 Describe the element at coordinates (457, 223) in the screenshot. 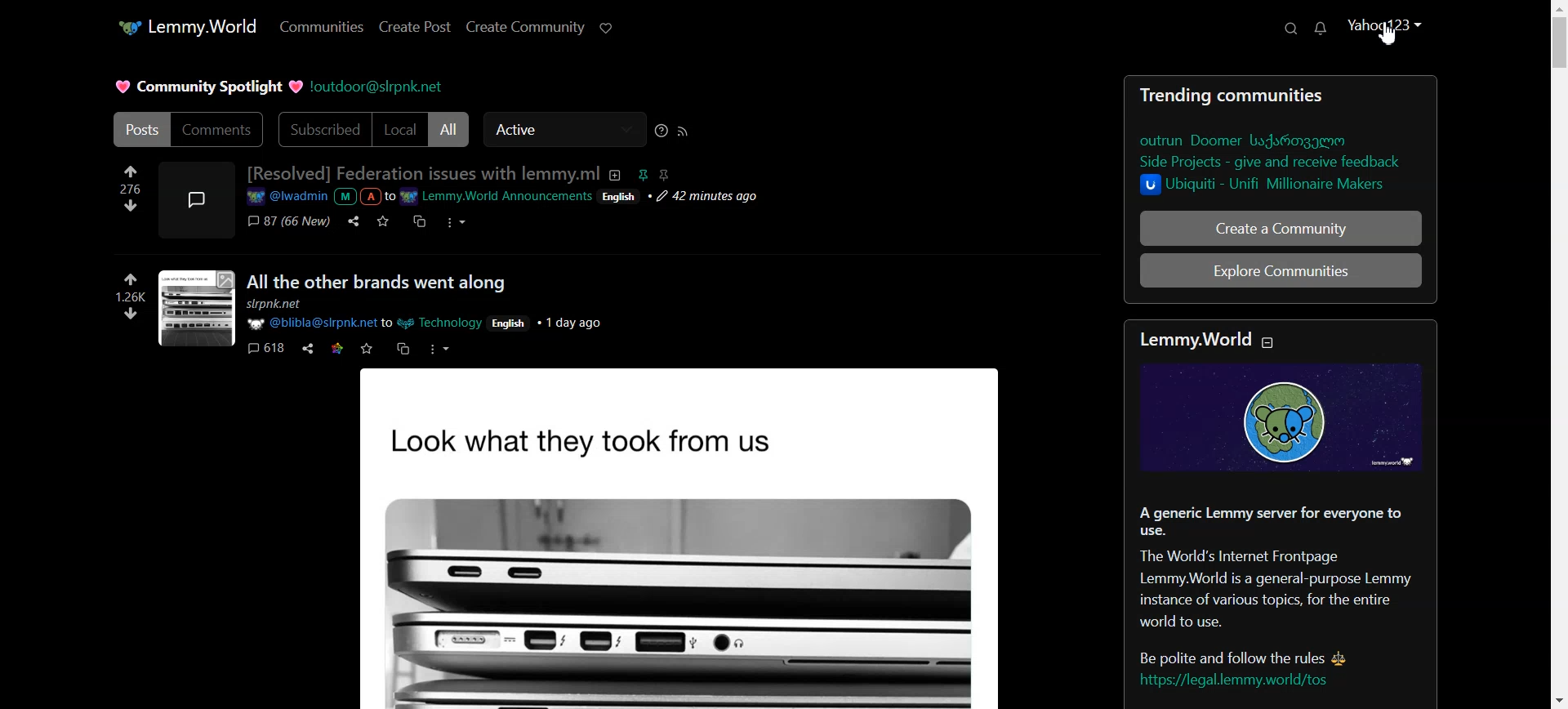

I see `more actions` at that location.